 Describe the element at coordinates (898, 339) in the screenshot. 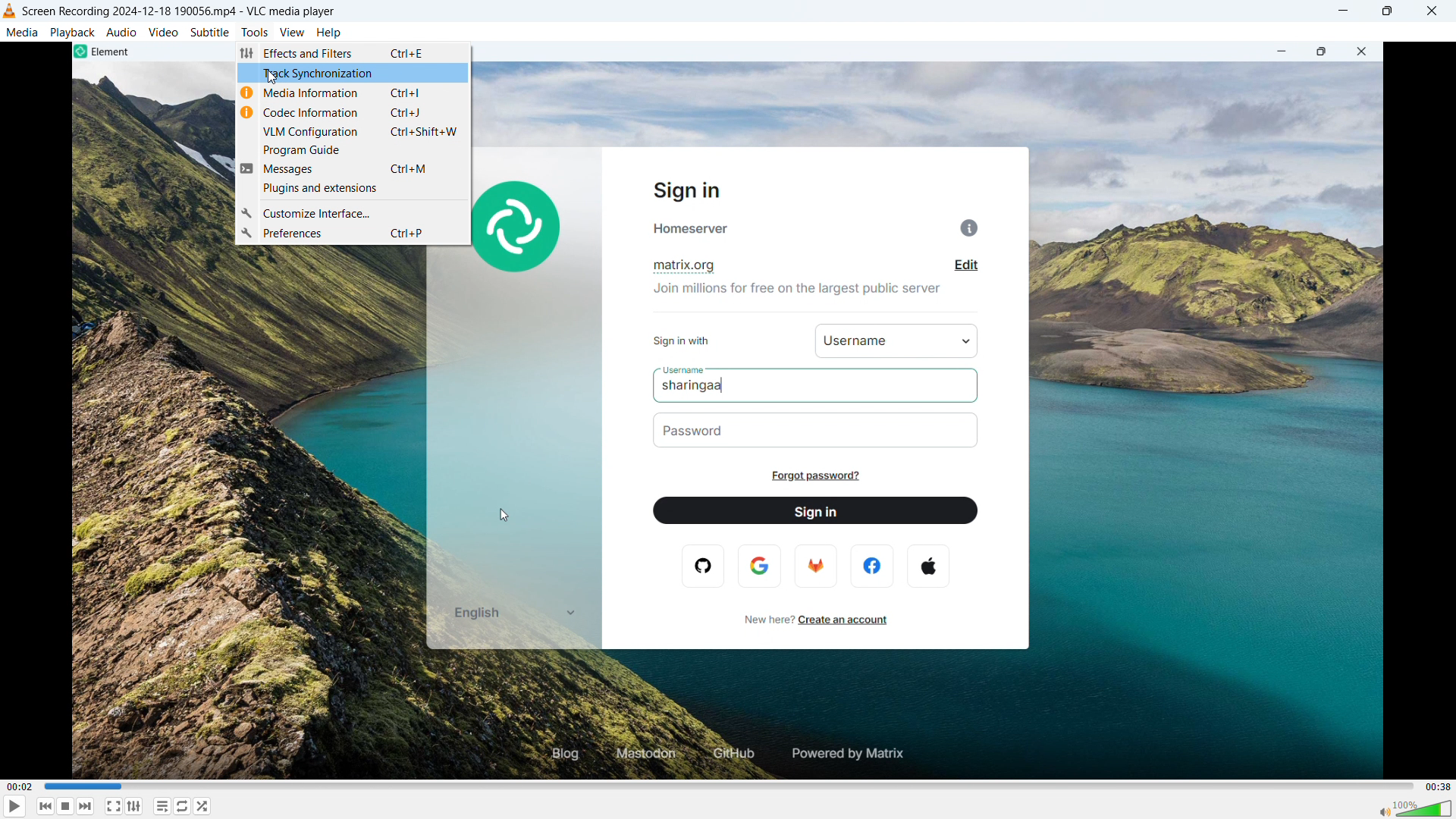

I see `username` at that location.